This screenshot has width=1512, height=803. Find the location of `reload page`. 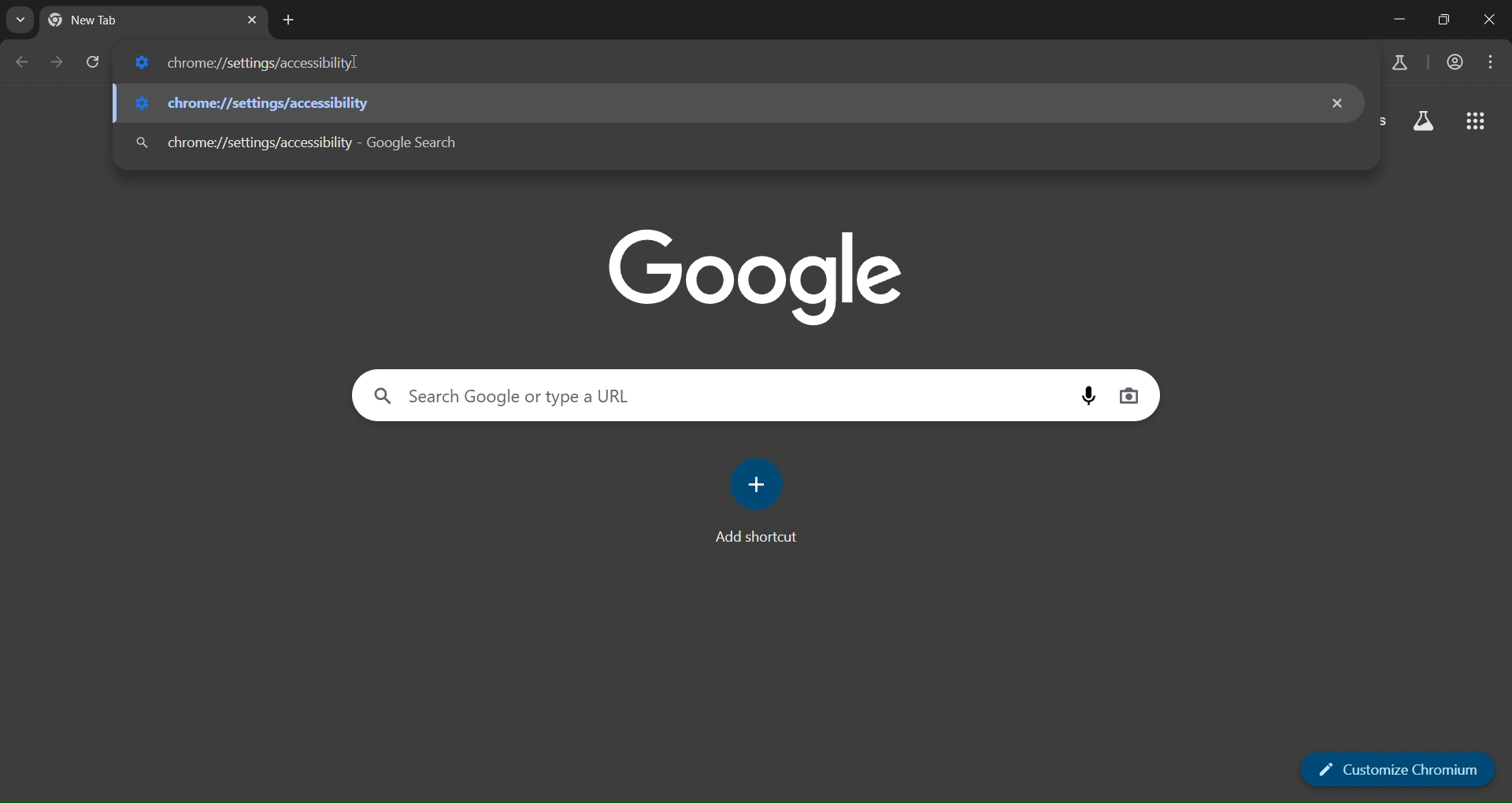

reload page is located at coordinates (91, 60).